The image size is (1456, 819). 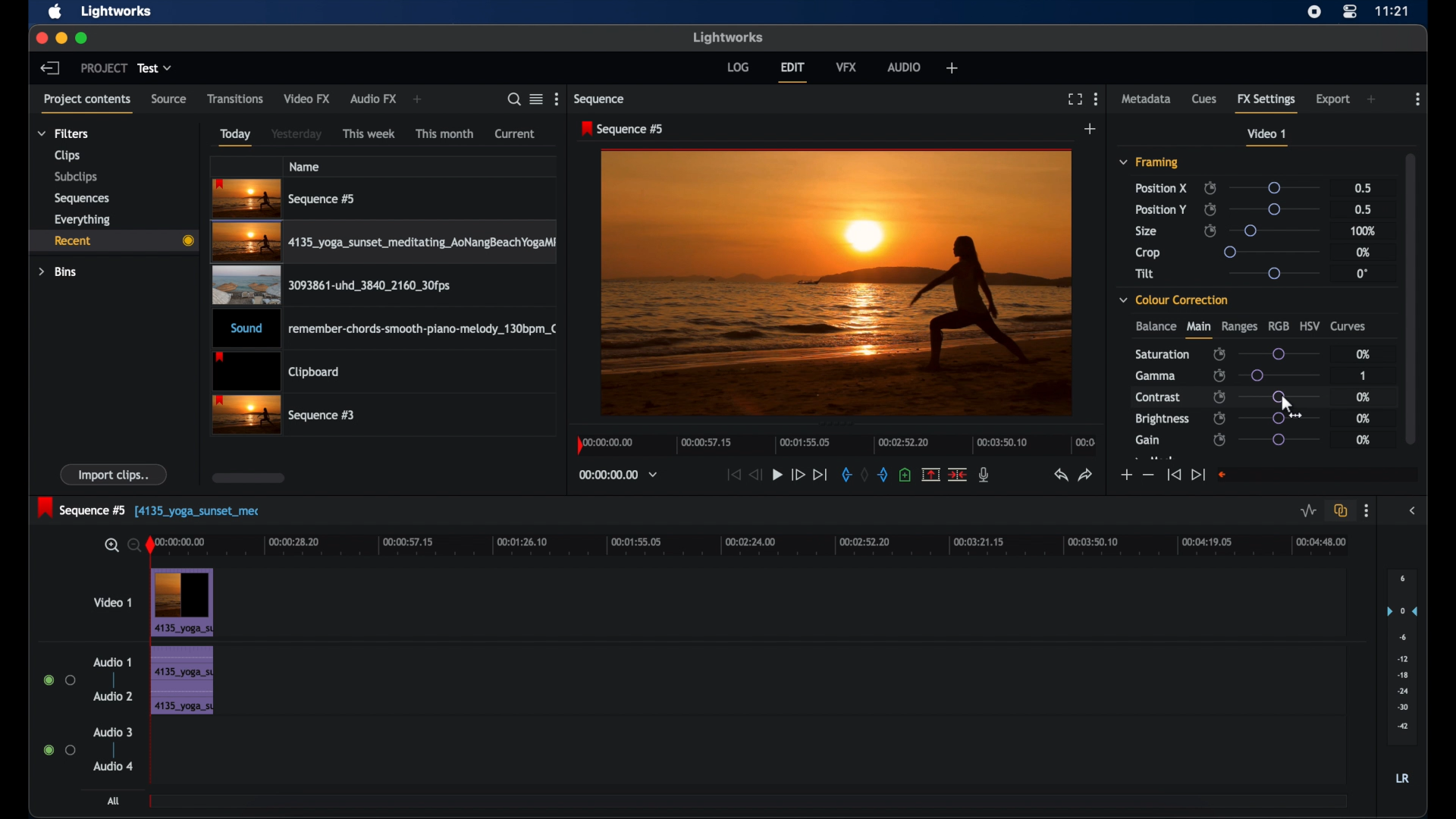 I want to click on clipboard, so click(x=276, y=372).